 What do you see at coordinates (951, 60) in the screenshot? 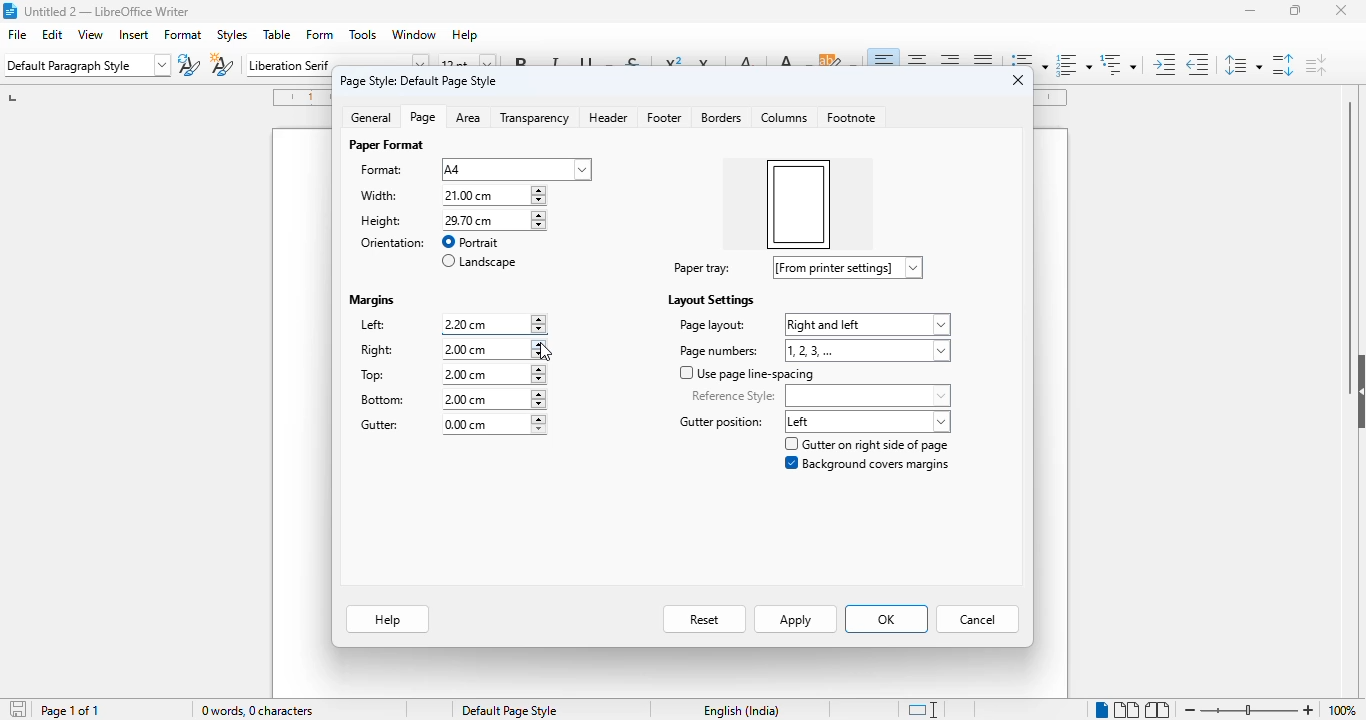
I see `align right` at bounding box center [951, 60].